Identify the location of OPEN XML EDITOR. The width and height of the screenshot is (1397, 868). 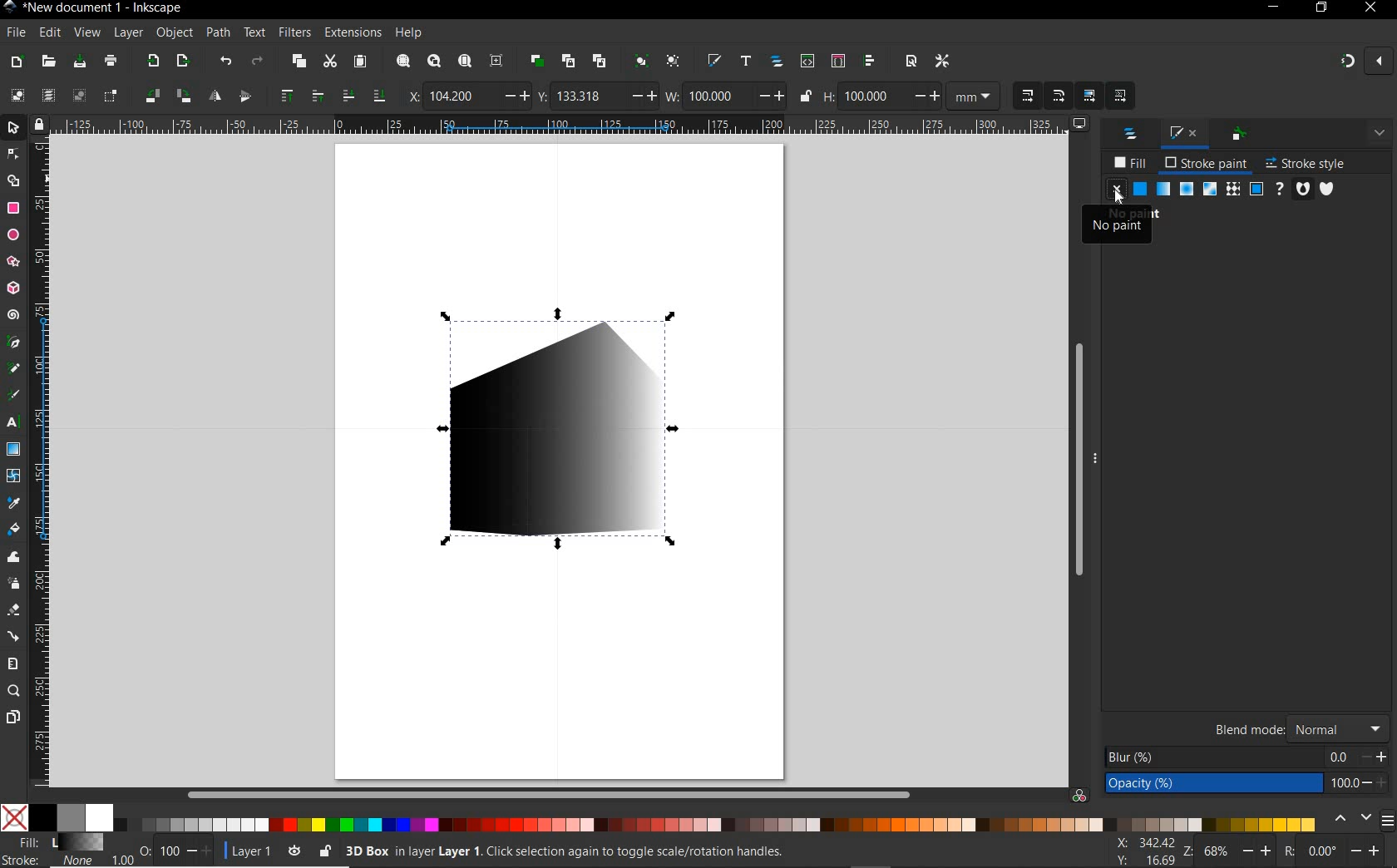
(809, 60).